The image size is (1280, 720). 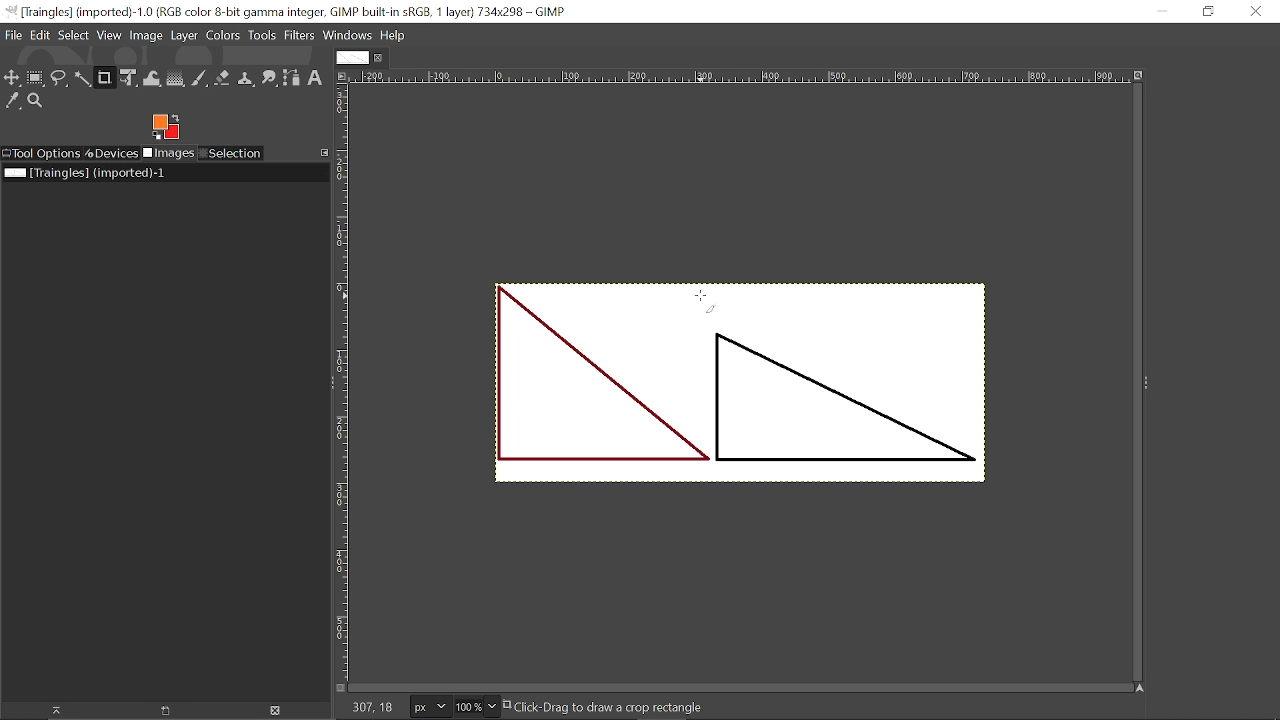 I want to click on Selection tool, so click(x=231, y=153).